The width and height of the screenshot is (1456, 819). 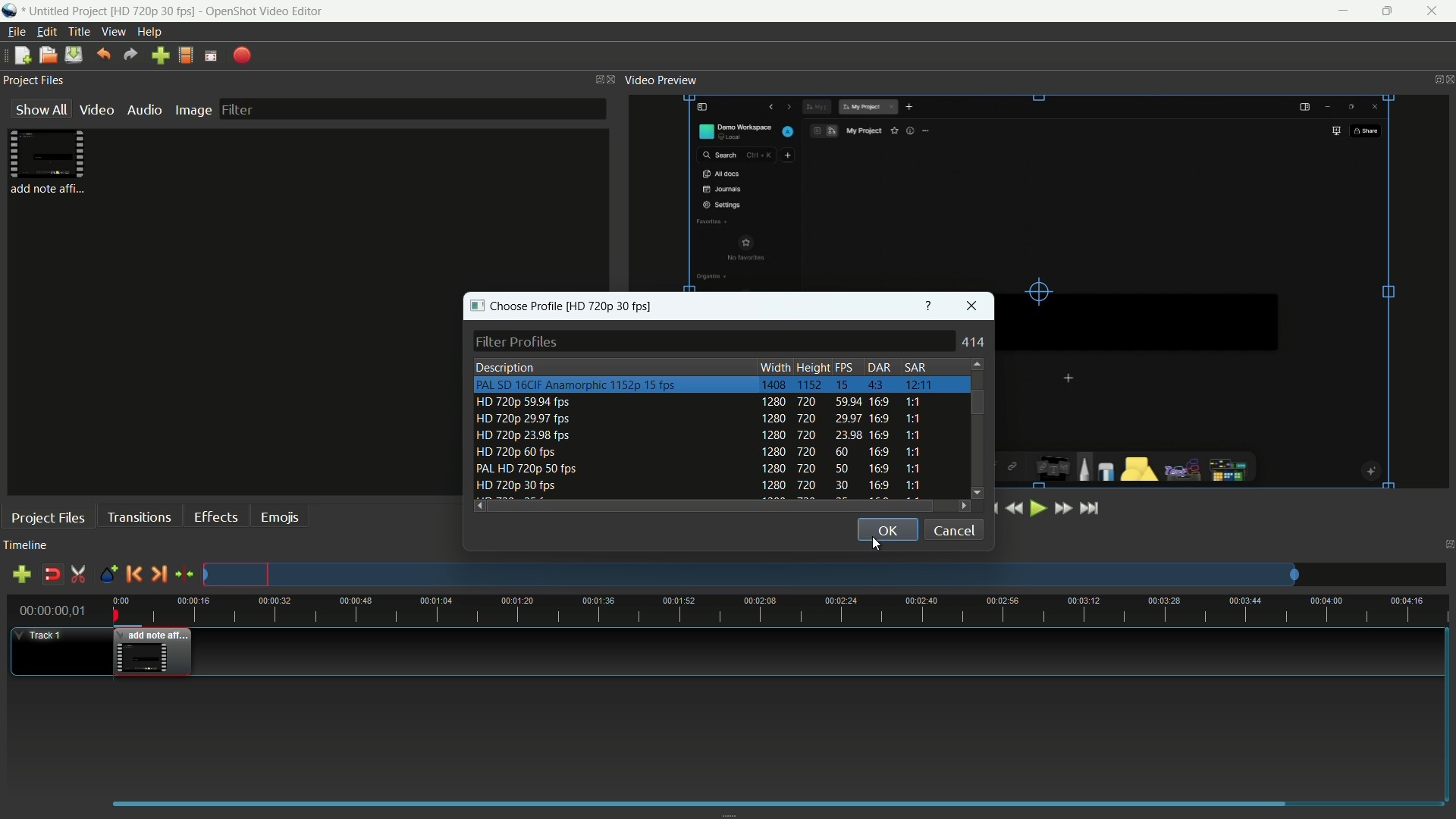 I want to click on image, so click(x=192, y=111).